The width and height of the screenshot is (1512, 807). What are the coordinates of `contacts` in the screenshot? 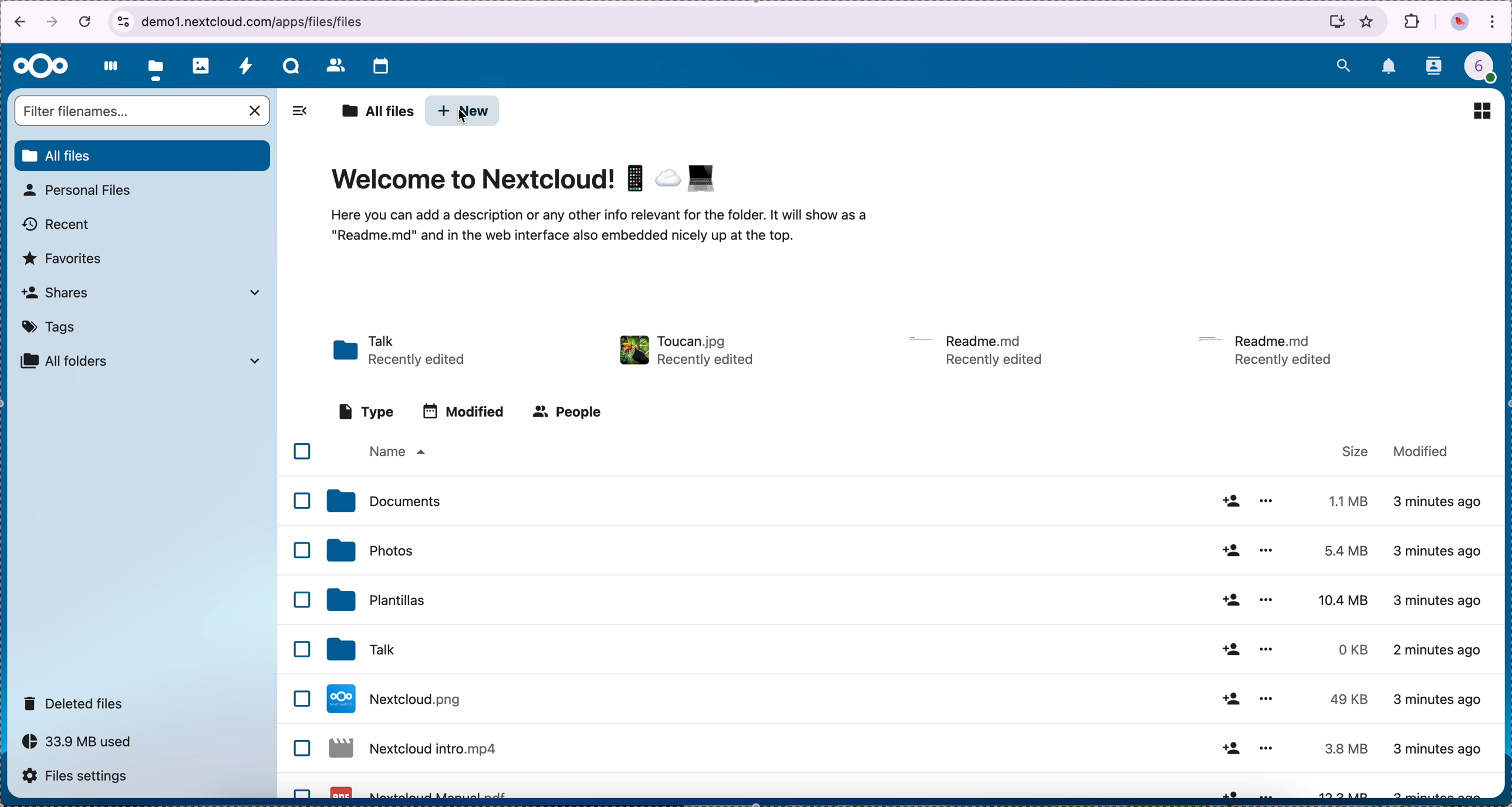 It's located at (335, 65).